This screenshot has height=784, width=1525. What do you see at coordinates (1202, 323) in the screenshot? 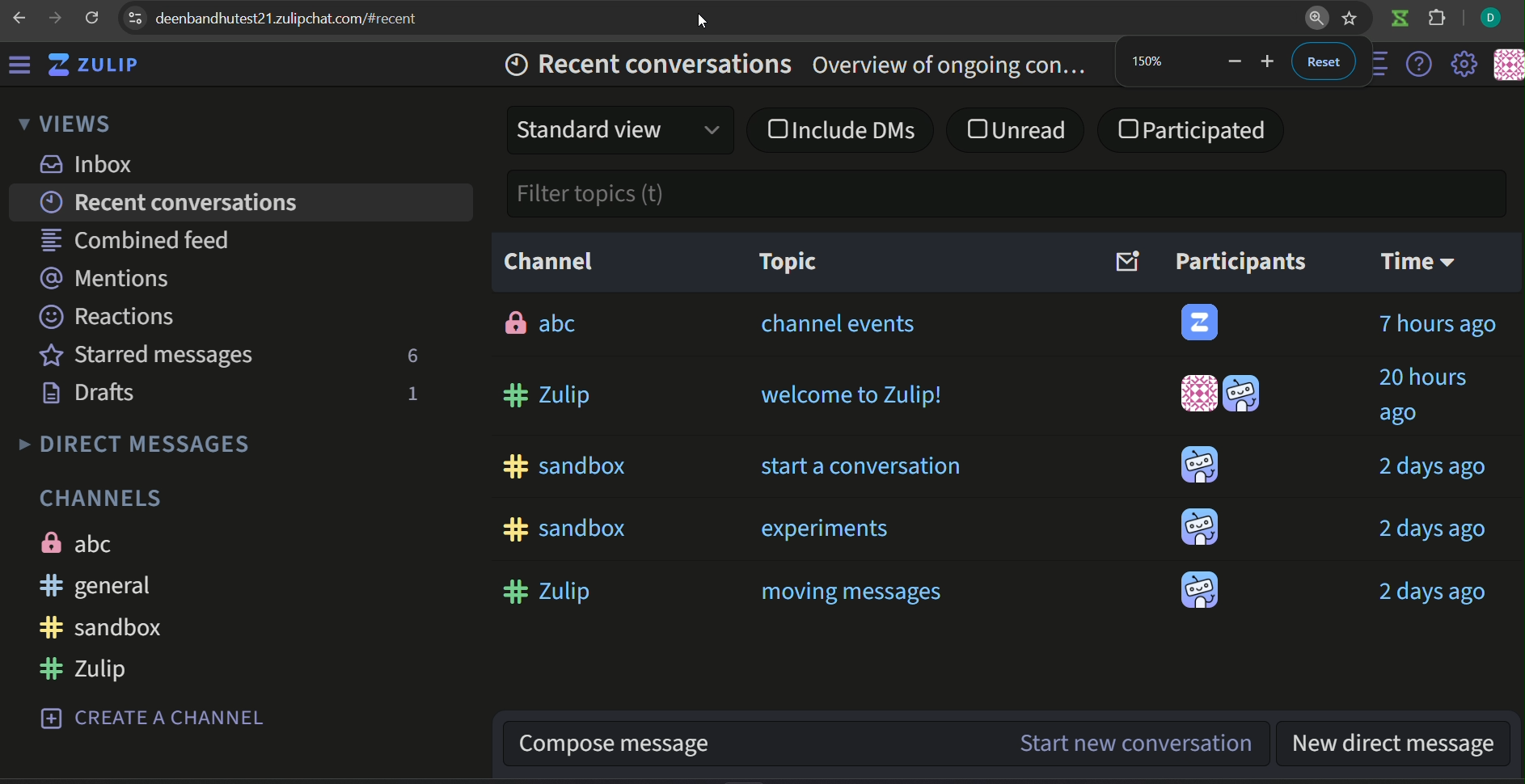
I see `icon` at bounding box center [1202, 323].